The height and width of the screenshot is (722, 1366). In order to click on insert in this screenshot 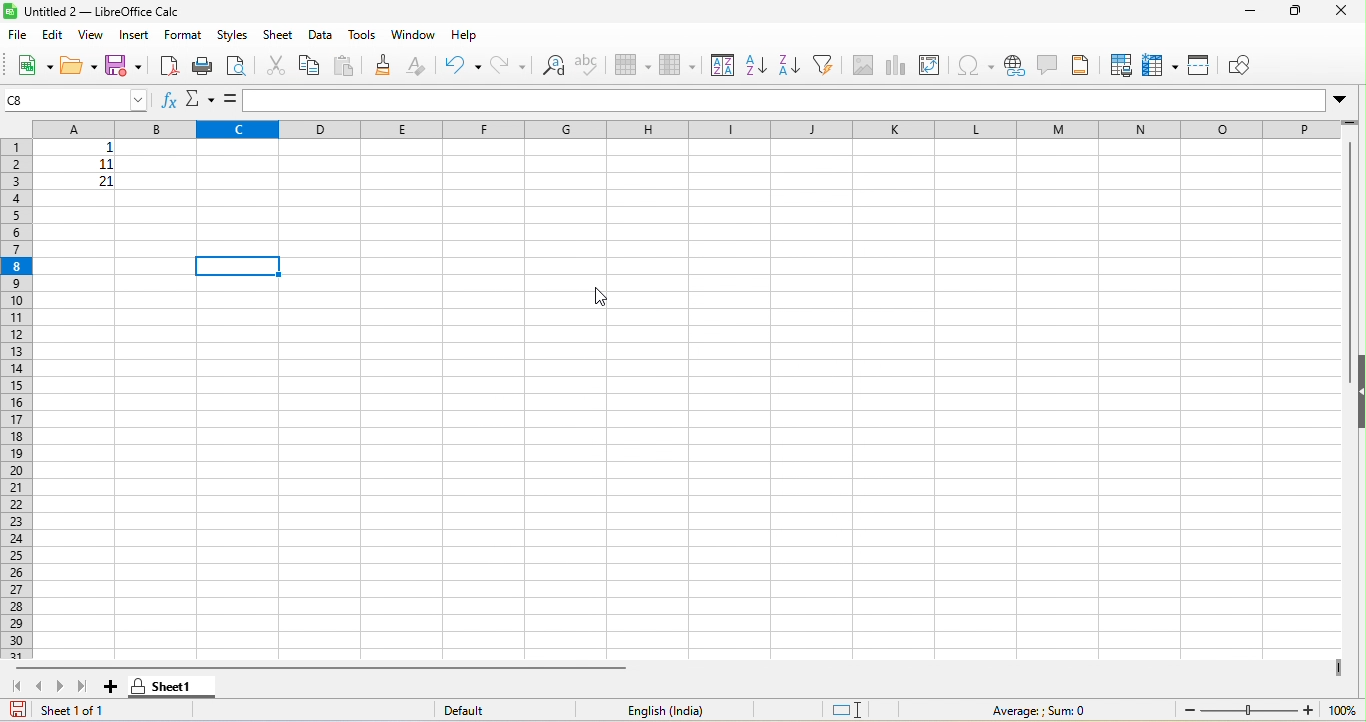, I will do `click(135, 35)`.